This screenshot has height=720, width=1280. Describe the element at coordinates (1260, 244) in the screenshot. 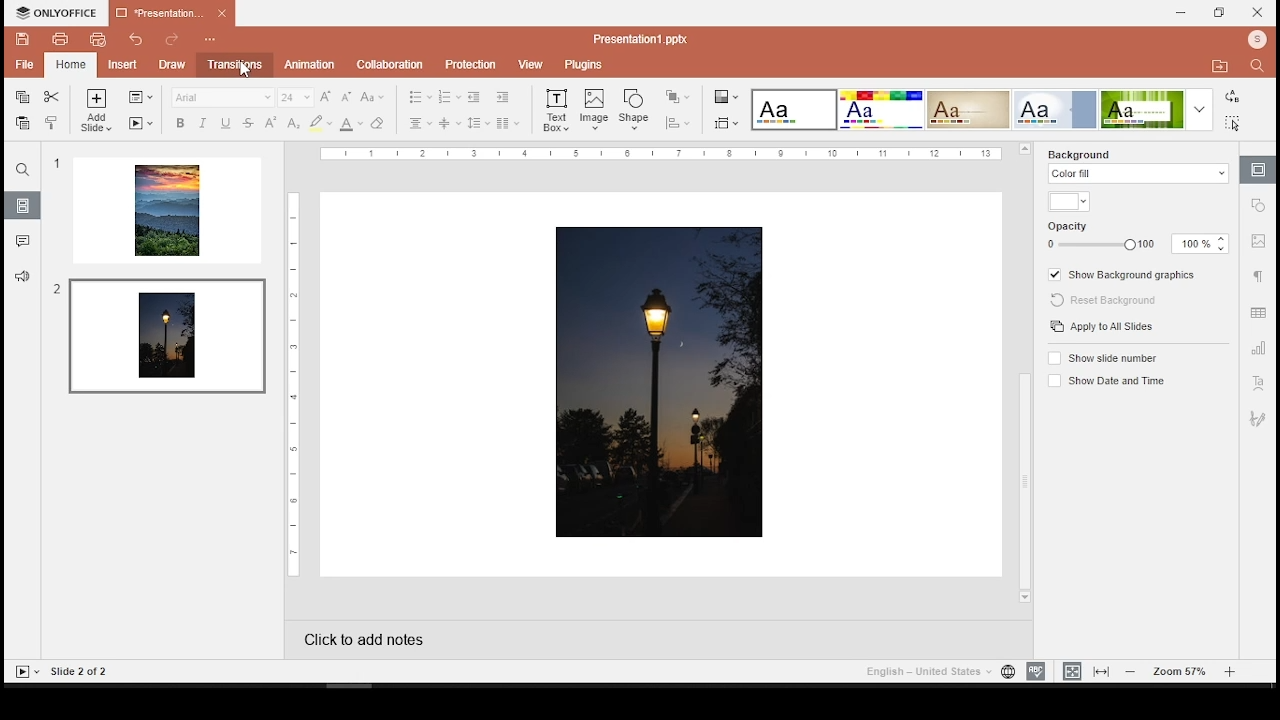

I see `image settings` at that location.